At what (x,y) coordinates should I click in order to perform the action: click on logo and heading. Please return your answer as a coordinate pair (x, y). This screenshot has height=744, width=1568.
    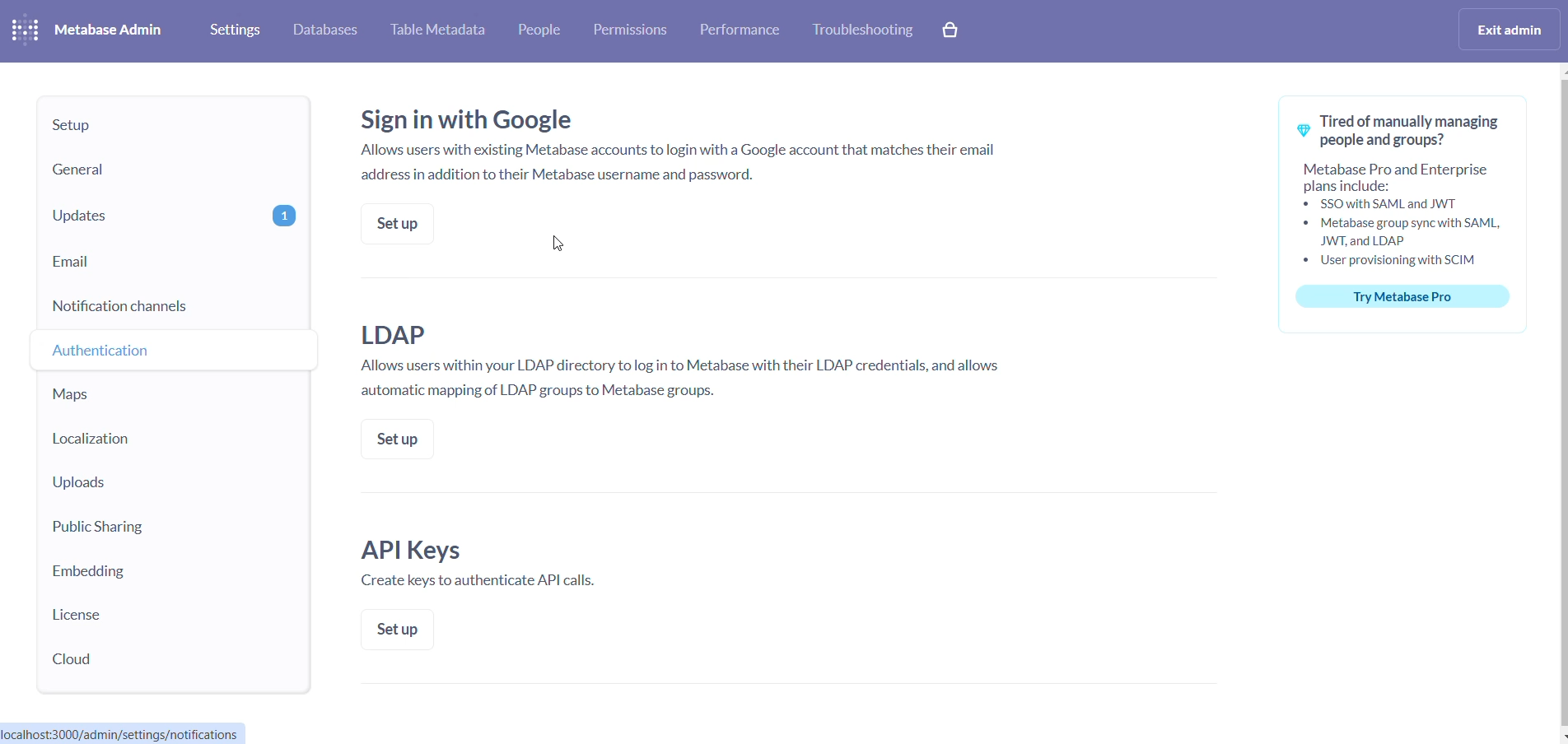
    Looking at the image, I should click on (90, 30).